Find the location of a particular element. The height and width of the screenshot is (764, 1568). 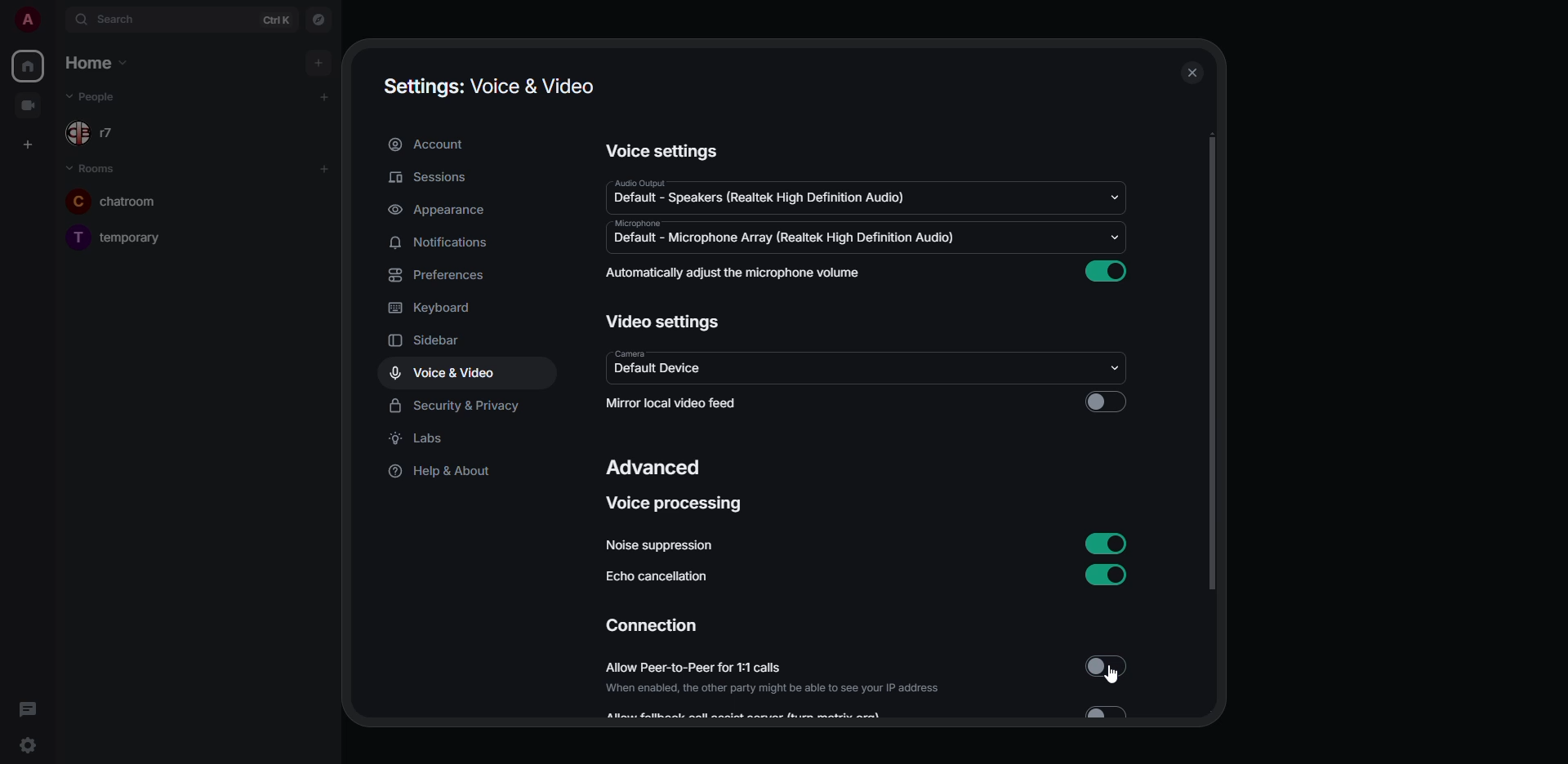

search is located at coordinates (127, 19).